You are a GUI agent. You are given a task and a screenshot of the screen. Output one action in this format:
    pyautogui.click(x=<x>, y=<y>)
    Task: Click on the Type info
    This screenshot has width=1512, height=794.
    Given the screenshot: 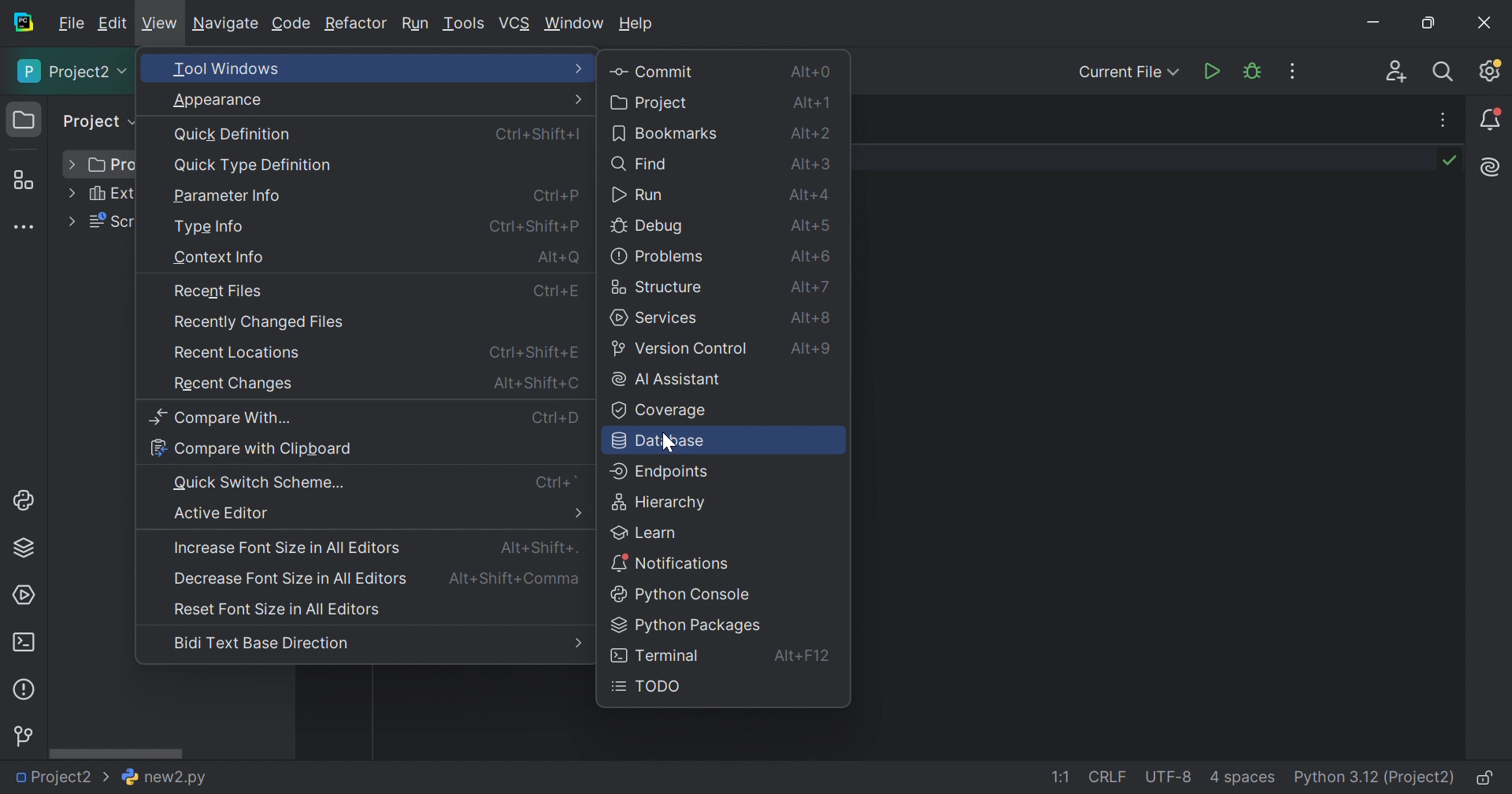 What is the action you would take?
    pyautogui.click(x=211, y=228)
    